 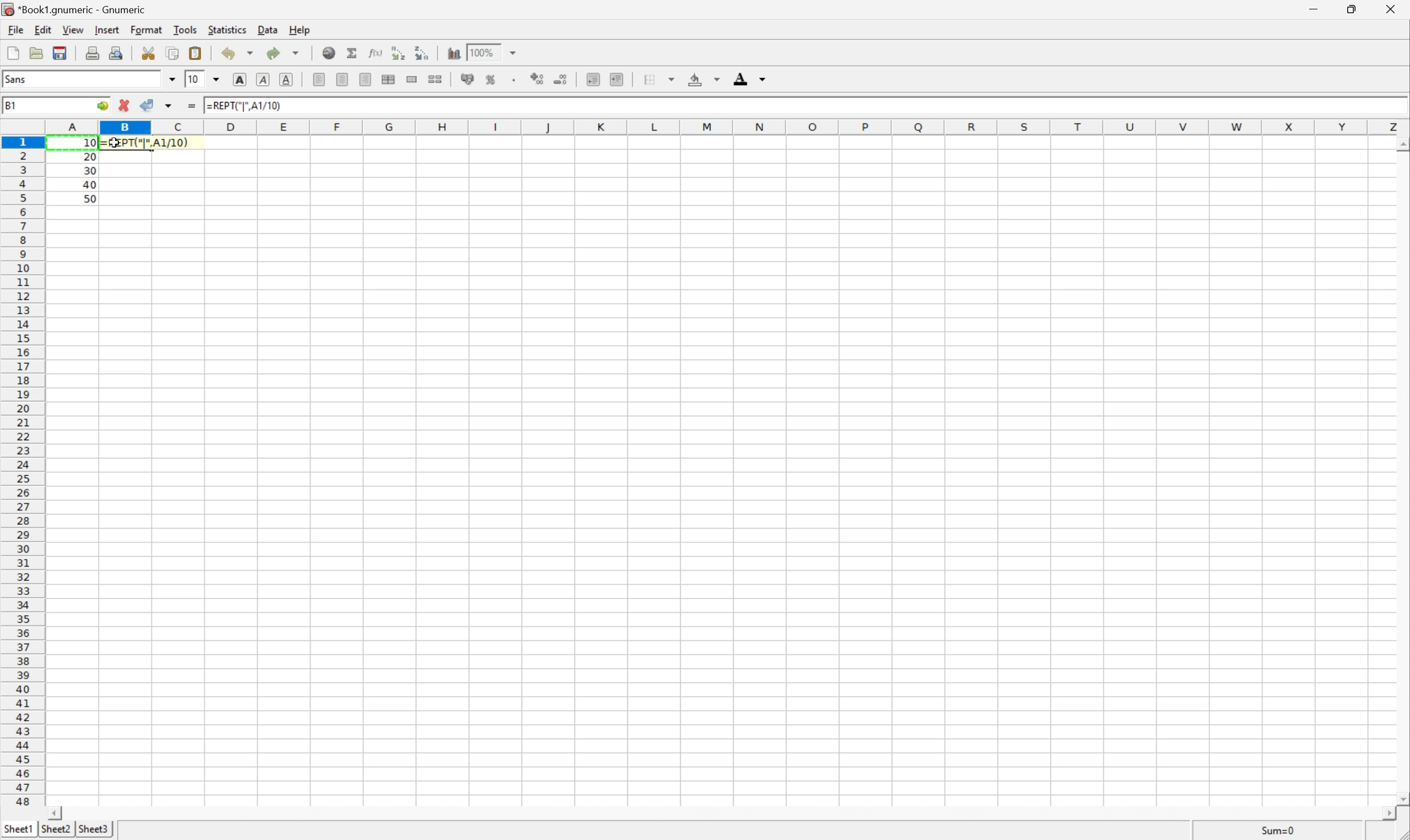 I want to click on Center Horizontally, so click(x=343, y=78).